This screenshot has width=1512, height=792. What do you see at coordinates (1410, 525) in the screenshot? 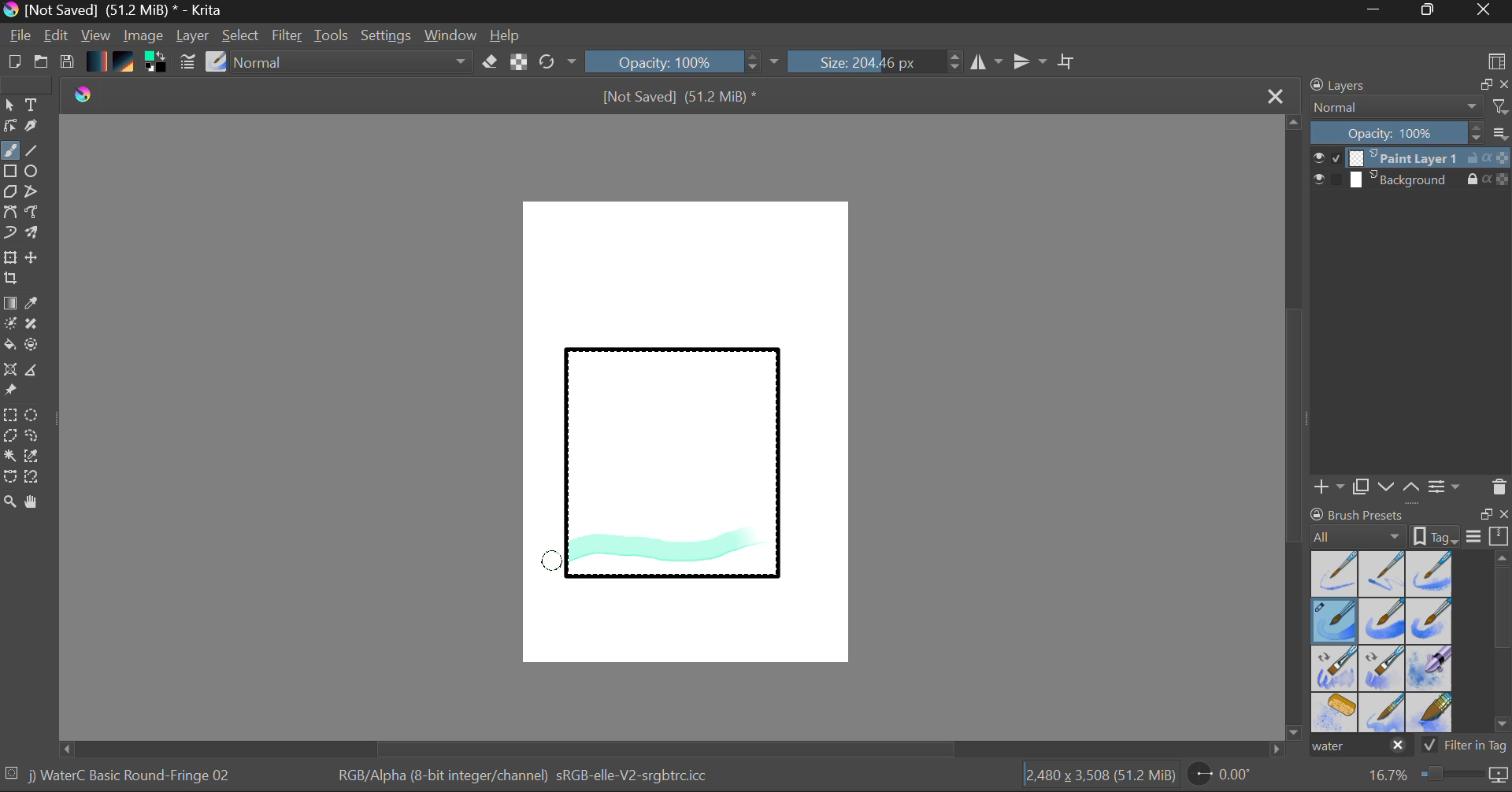
I see `Brush presets docket` at bounding box center [1410, 525].